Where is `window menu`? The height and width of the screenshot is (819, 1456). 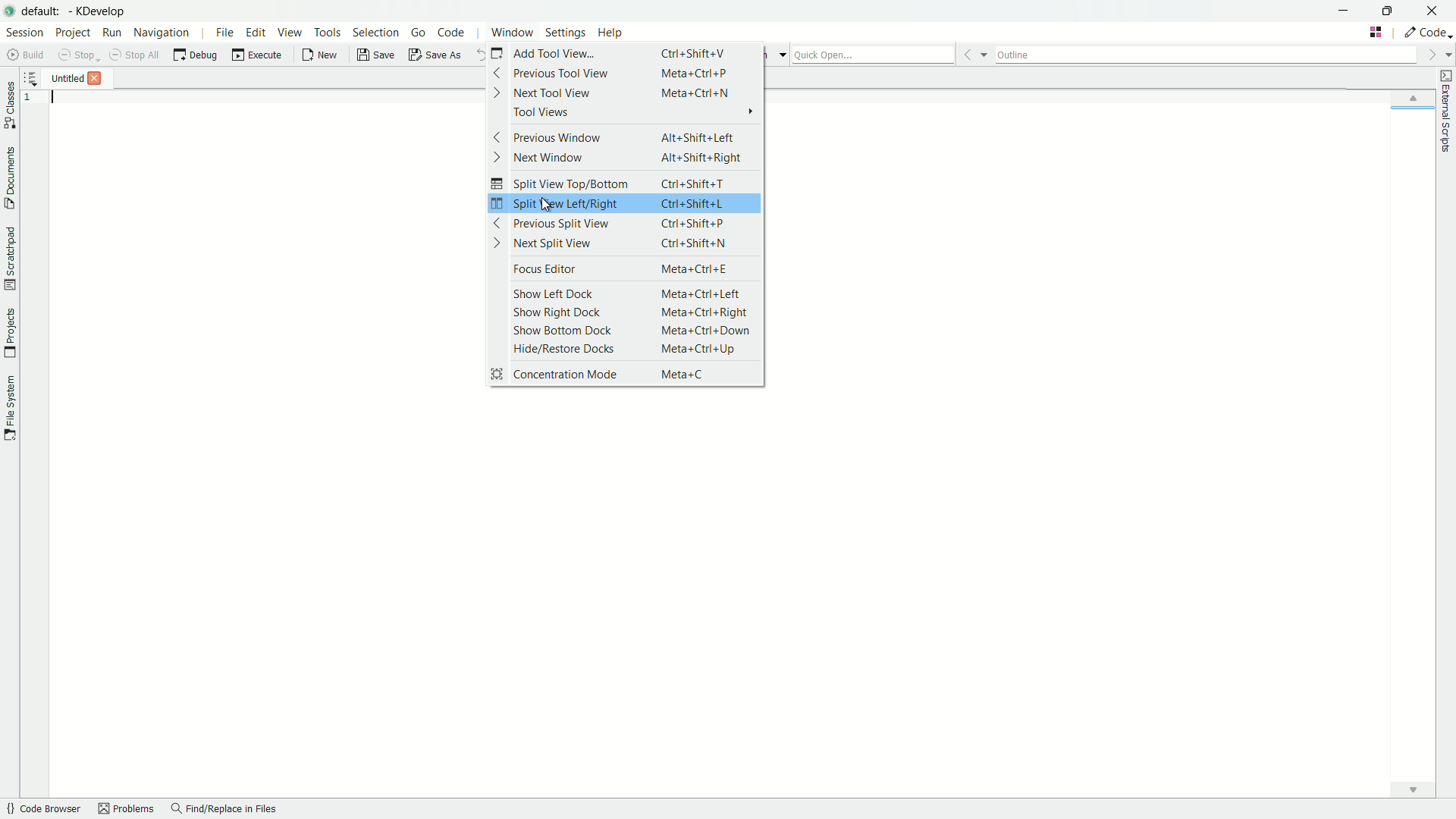
window menu is located at coordinates (513, 33).